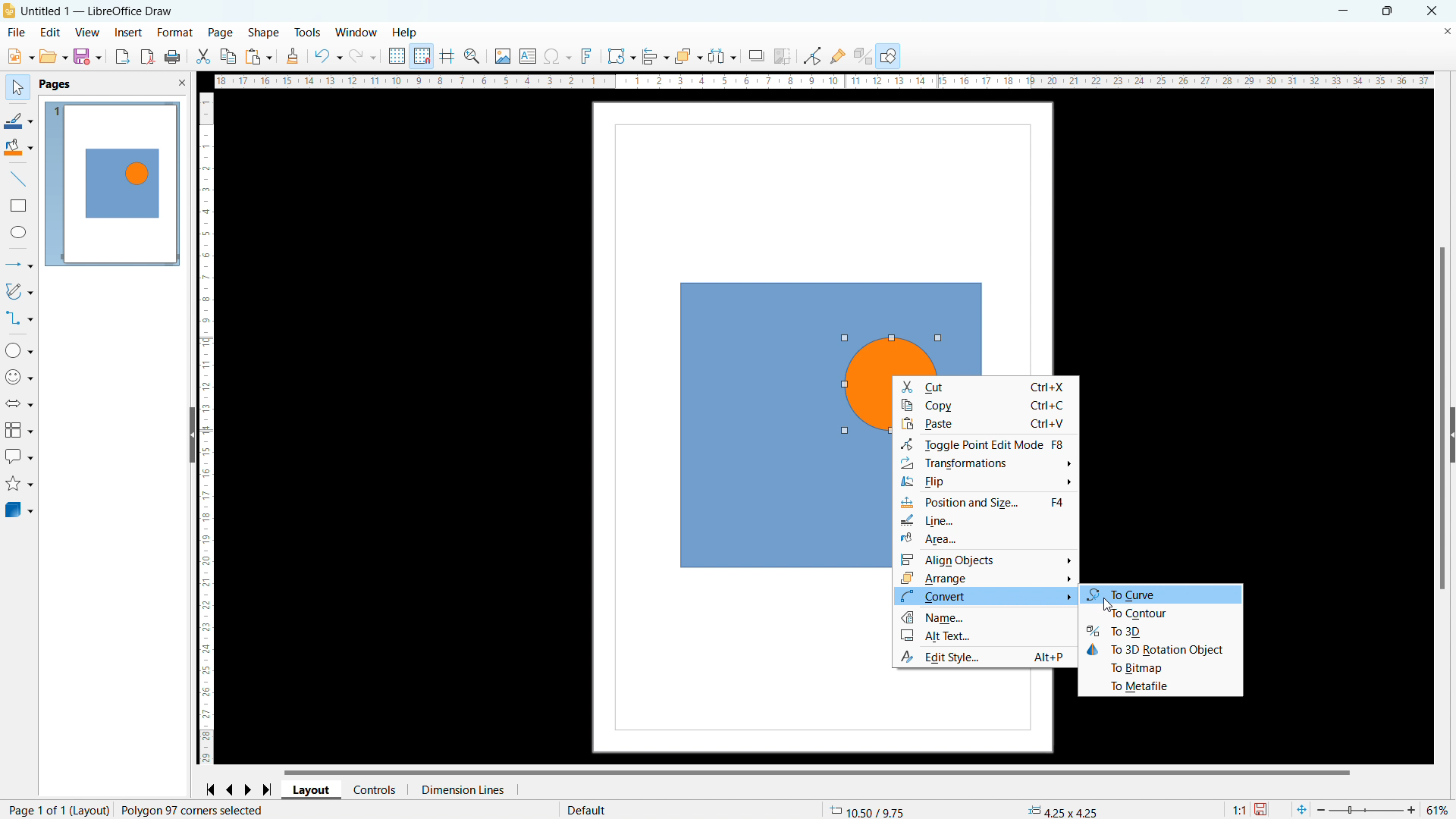  I want to click on insert image, so click(503, 55).